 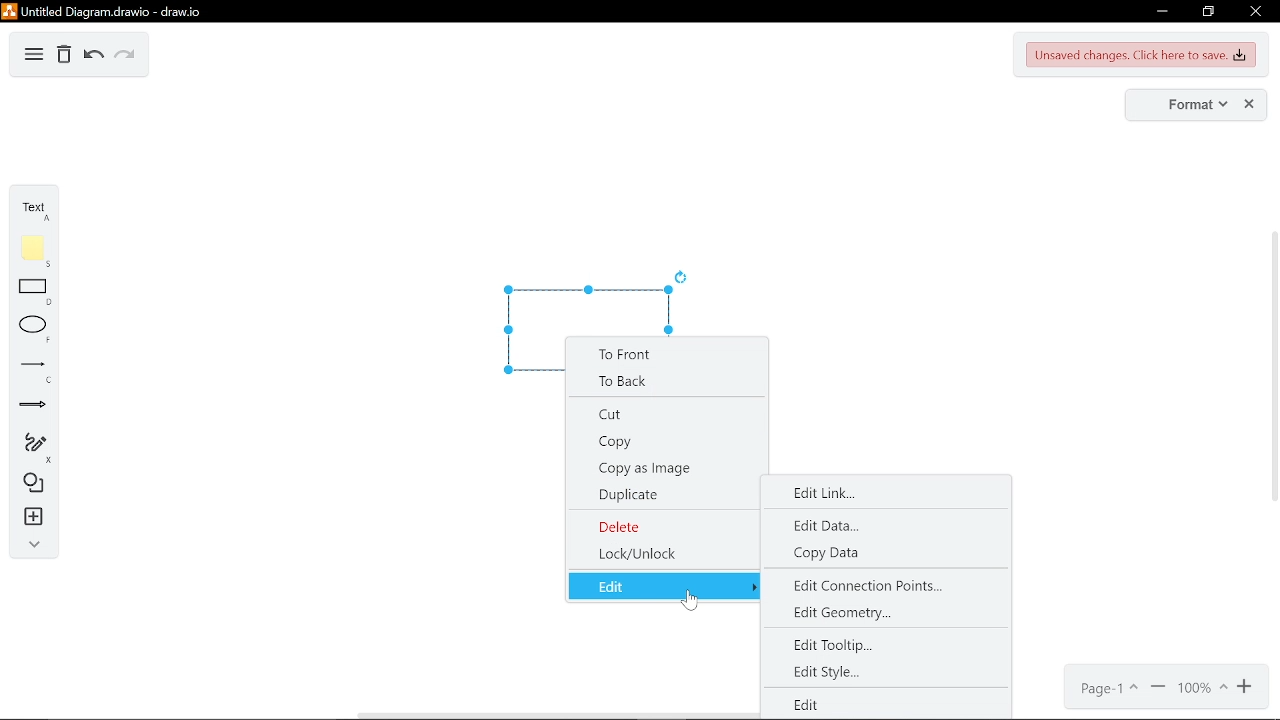 I want to click on duplicate, so click(x=663, y=496).